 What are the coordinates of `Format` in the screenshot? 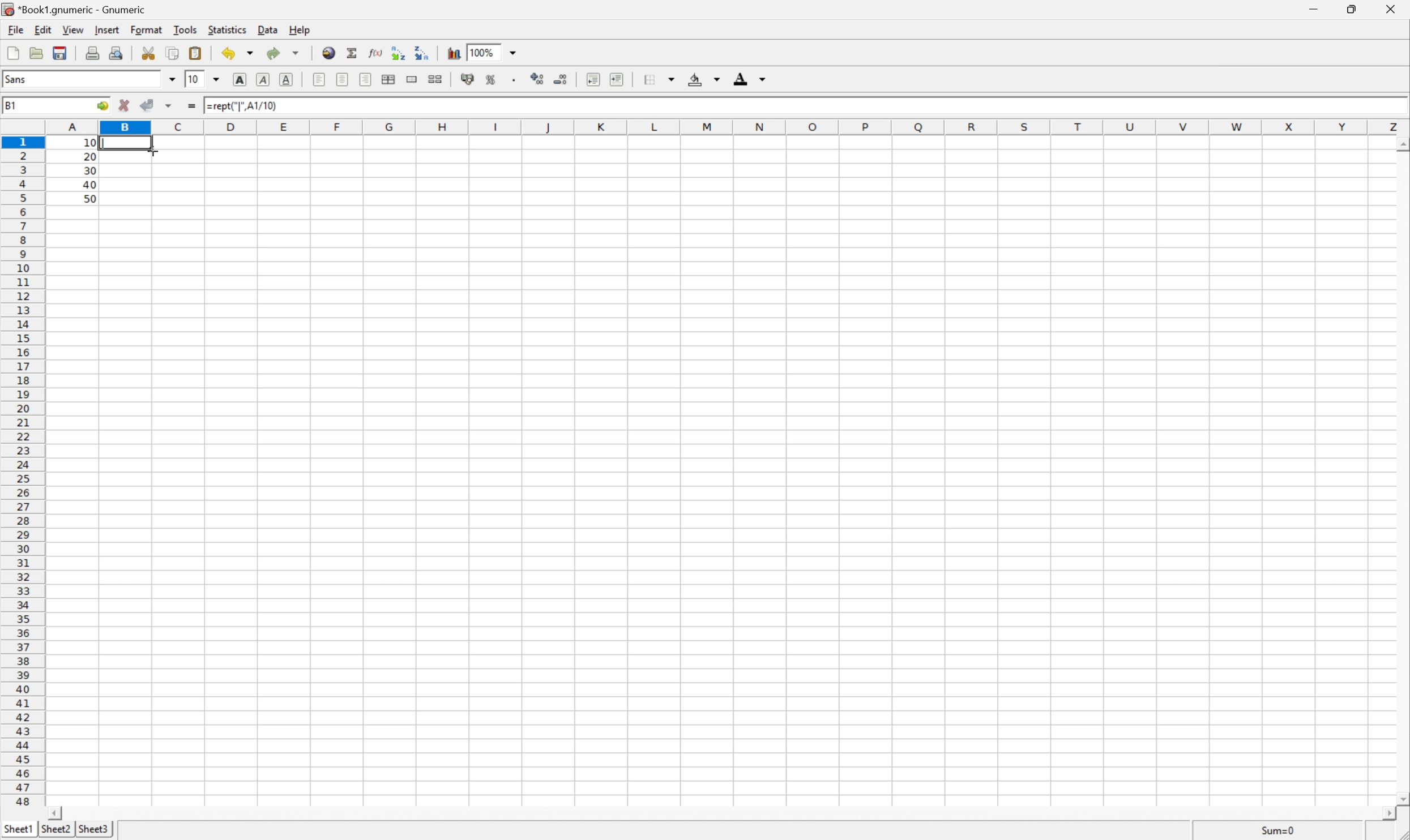 It's located at (147, 29).